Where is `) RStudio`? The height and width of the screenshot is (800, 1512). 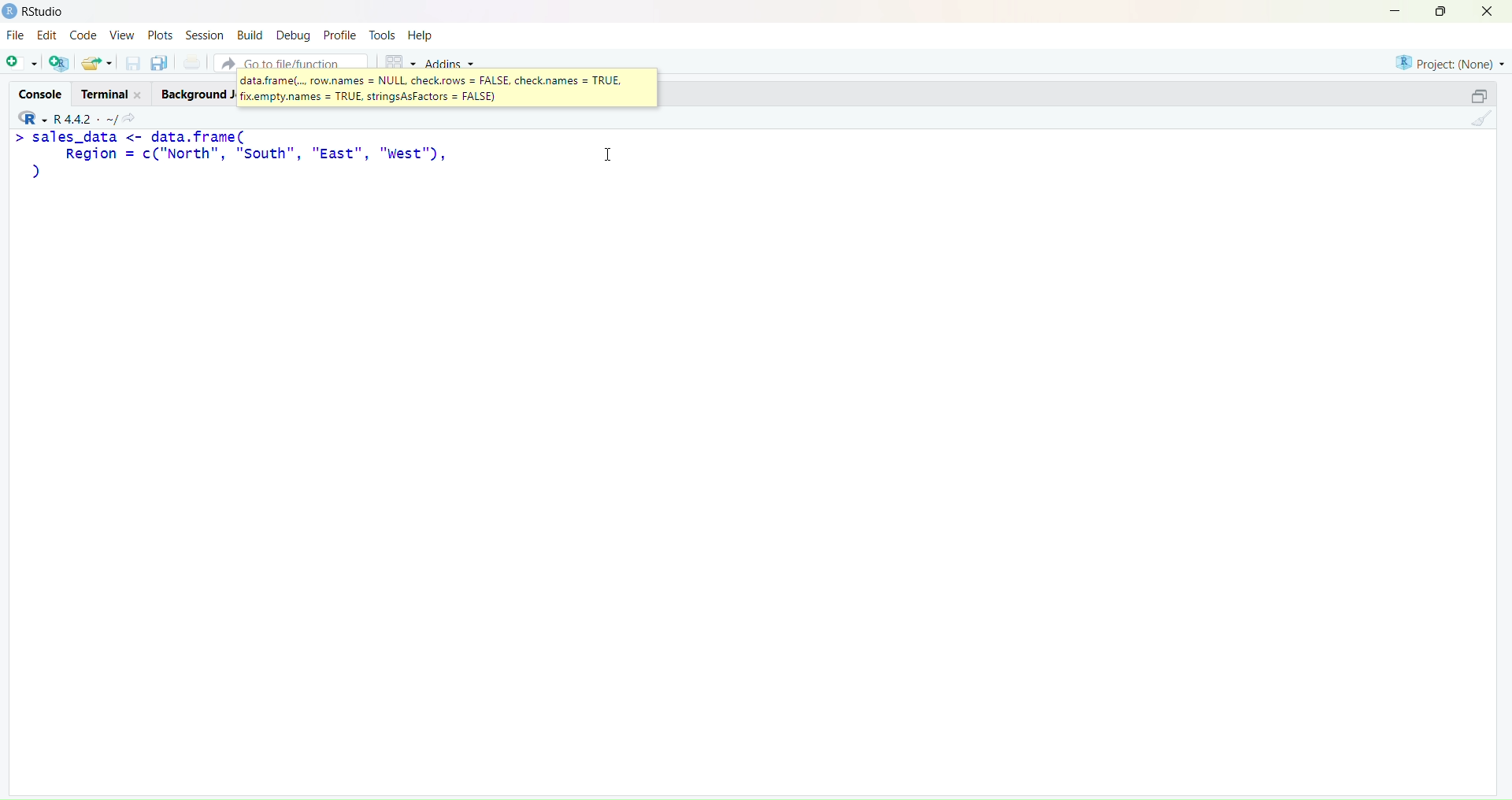
) RStudio is located at coordinates (40, 9).